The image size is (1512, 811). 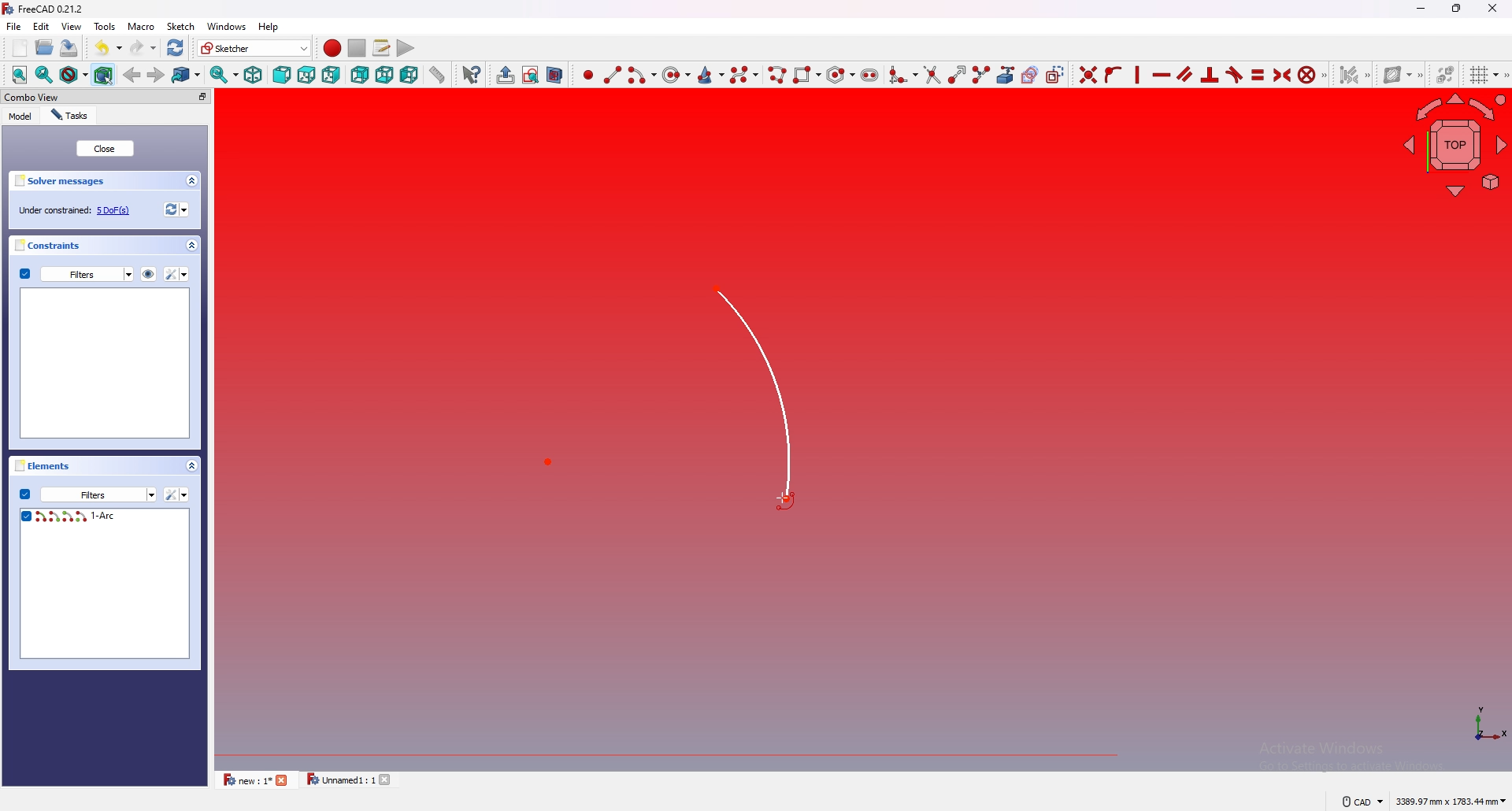 I want to click on view sketch, so click(x=531, y=74).